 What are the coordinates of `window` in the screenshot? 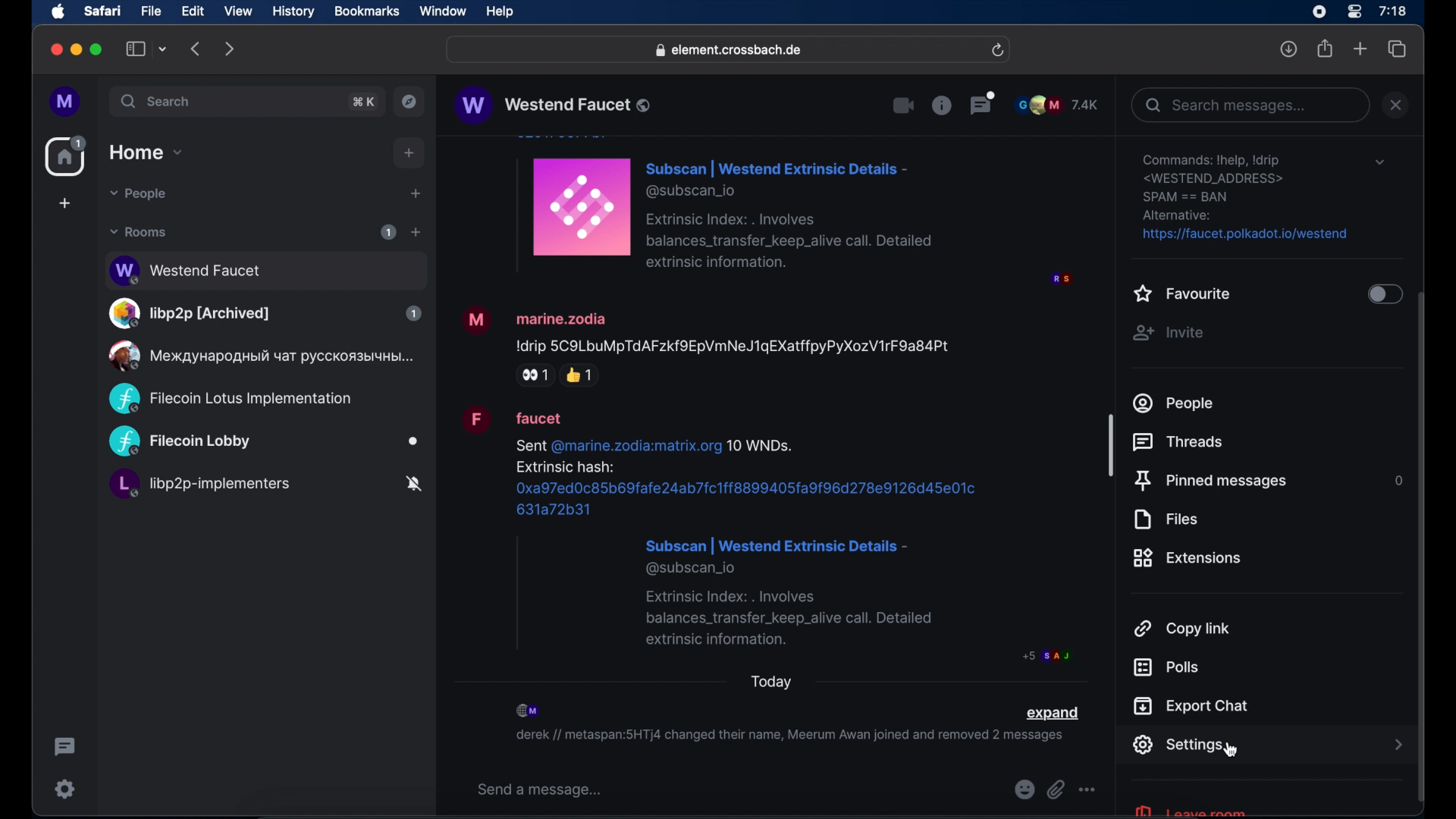 It's located at (443, 11).